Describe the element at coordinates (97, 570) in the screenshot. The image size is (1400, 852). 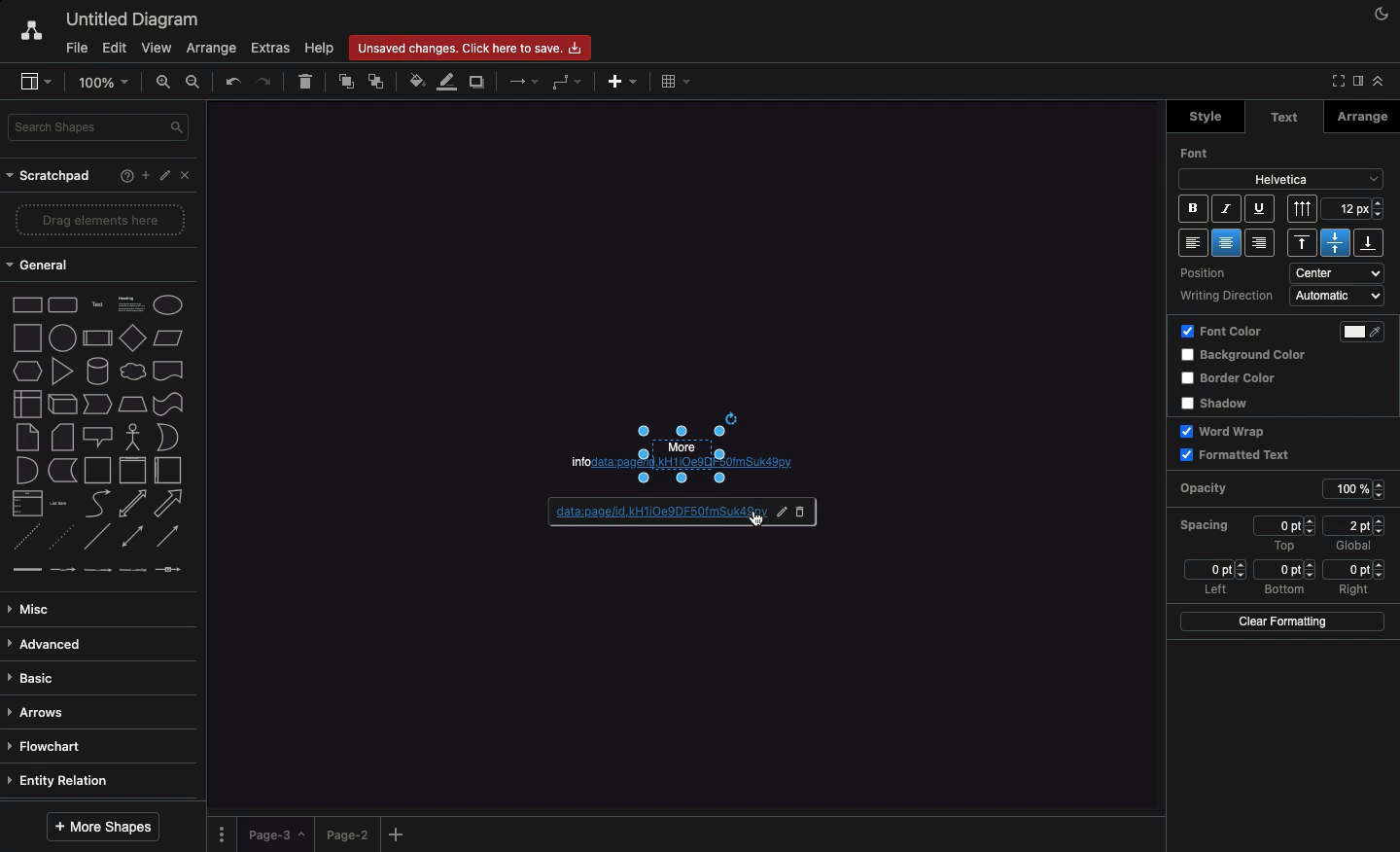
I see `connector with 2 labels` at that location.